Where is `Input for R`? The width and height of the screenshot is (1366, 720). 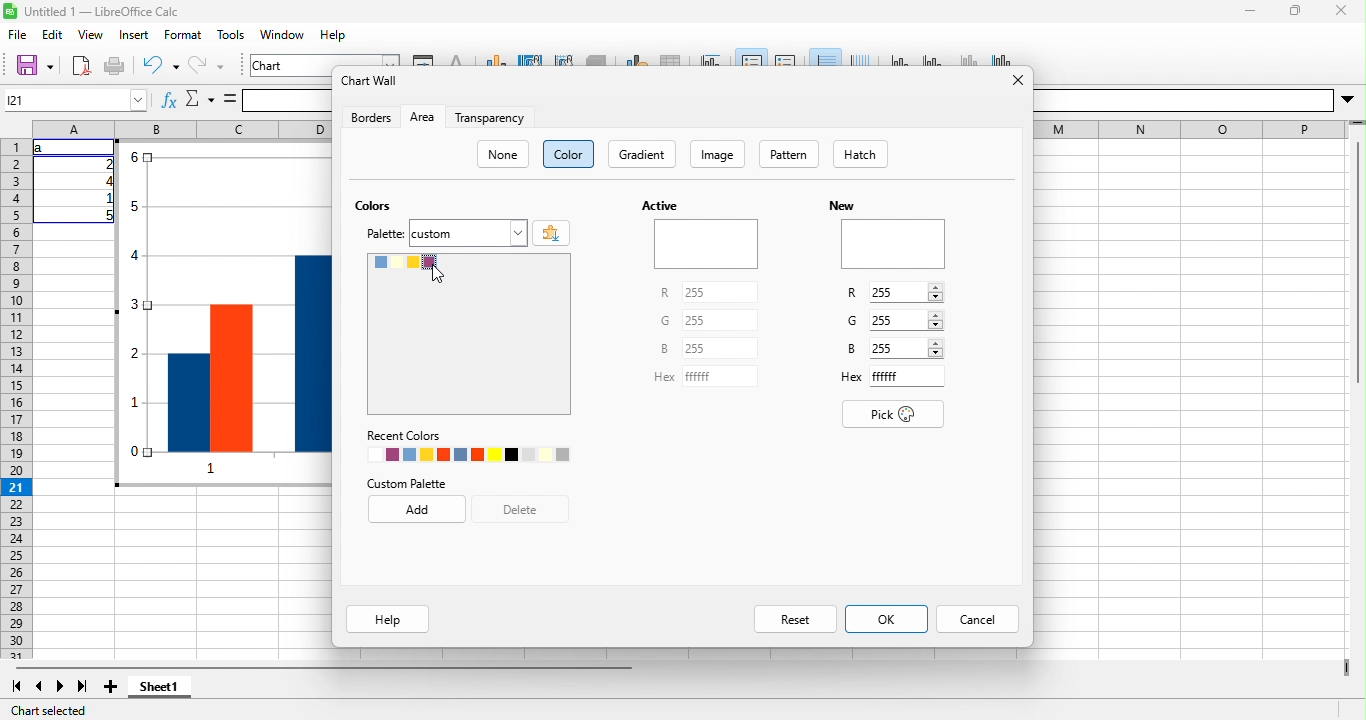
Input for R is located at coordinates (720, 292).